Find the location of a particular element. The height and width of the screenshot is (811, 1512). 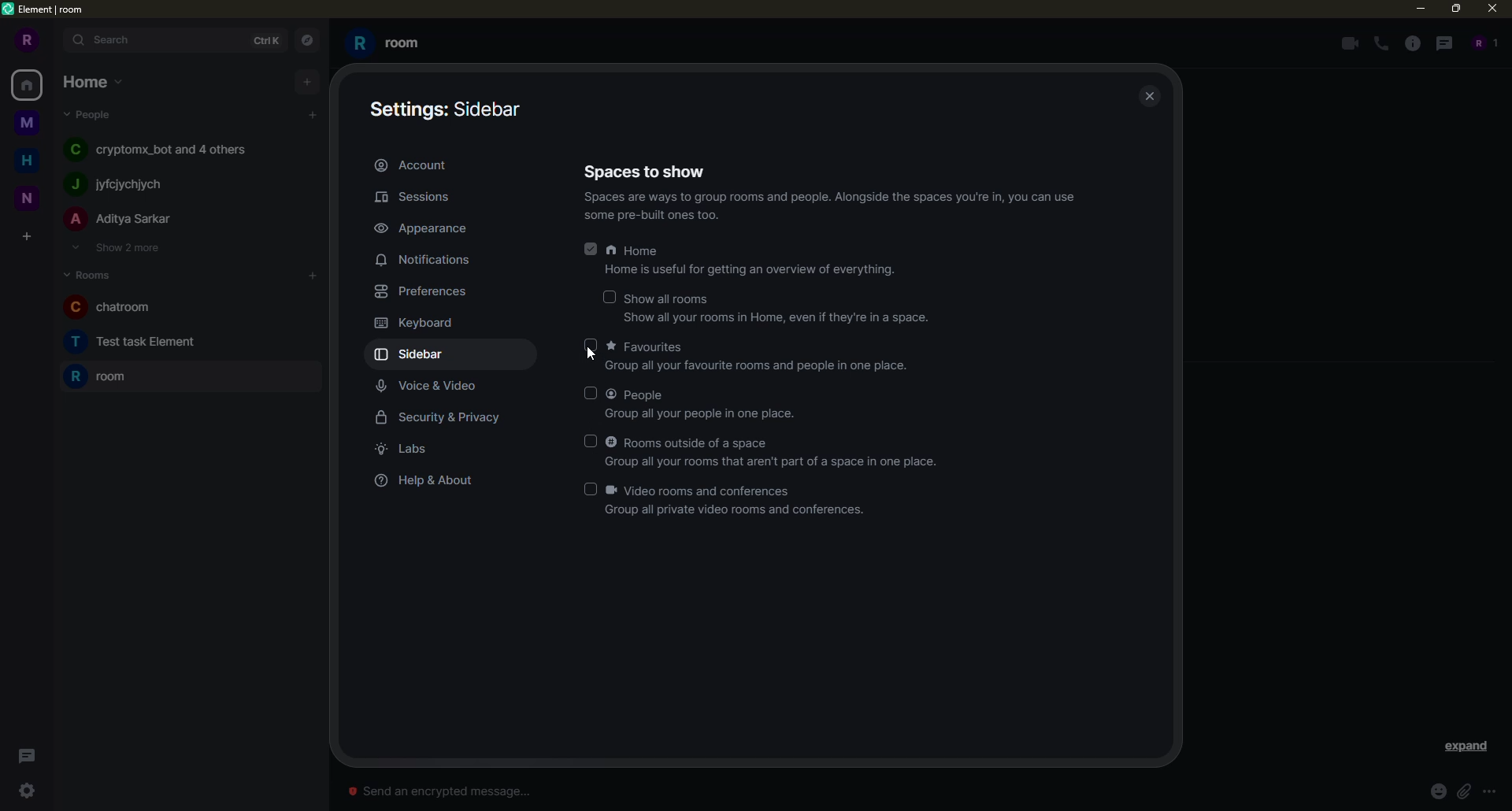

appearance is located at coordinates (423, 227).